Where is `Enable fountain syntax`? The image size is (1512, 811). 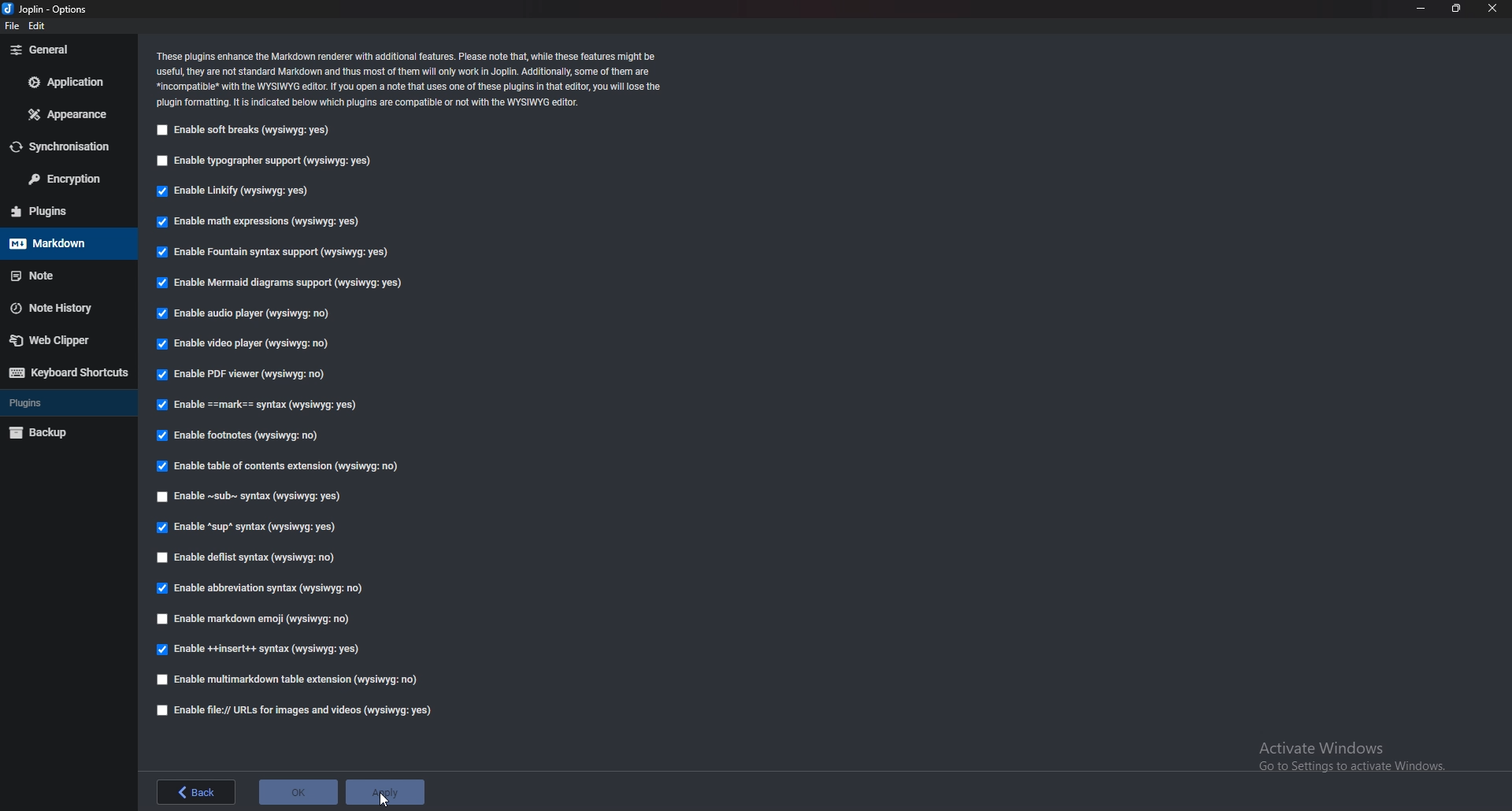 Enable fountain syntax is located at coordinates (274, 251).